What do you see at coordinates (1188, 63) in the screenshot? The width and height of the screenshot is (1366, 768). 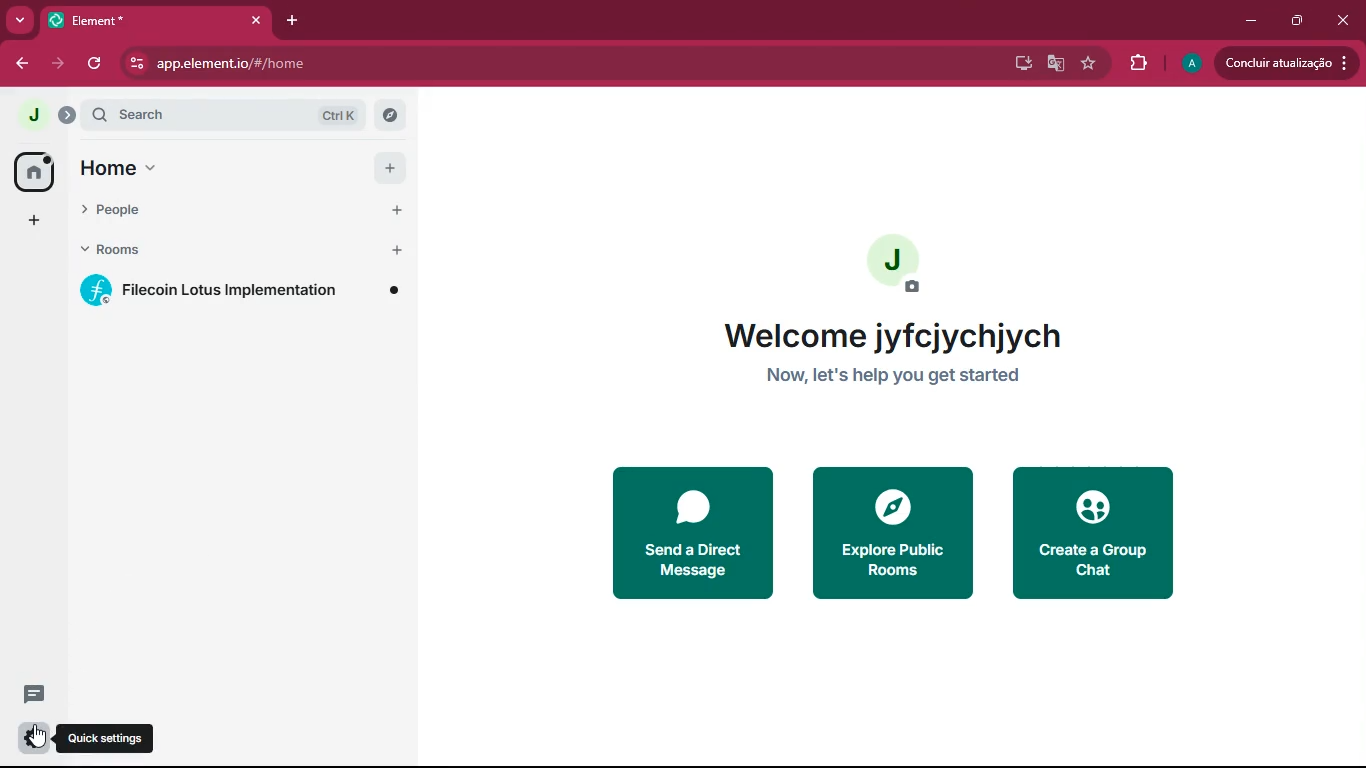 I see `profile picture` at bounding box center [1188, 63].